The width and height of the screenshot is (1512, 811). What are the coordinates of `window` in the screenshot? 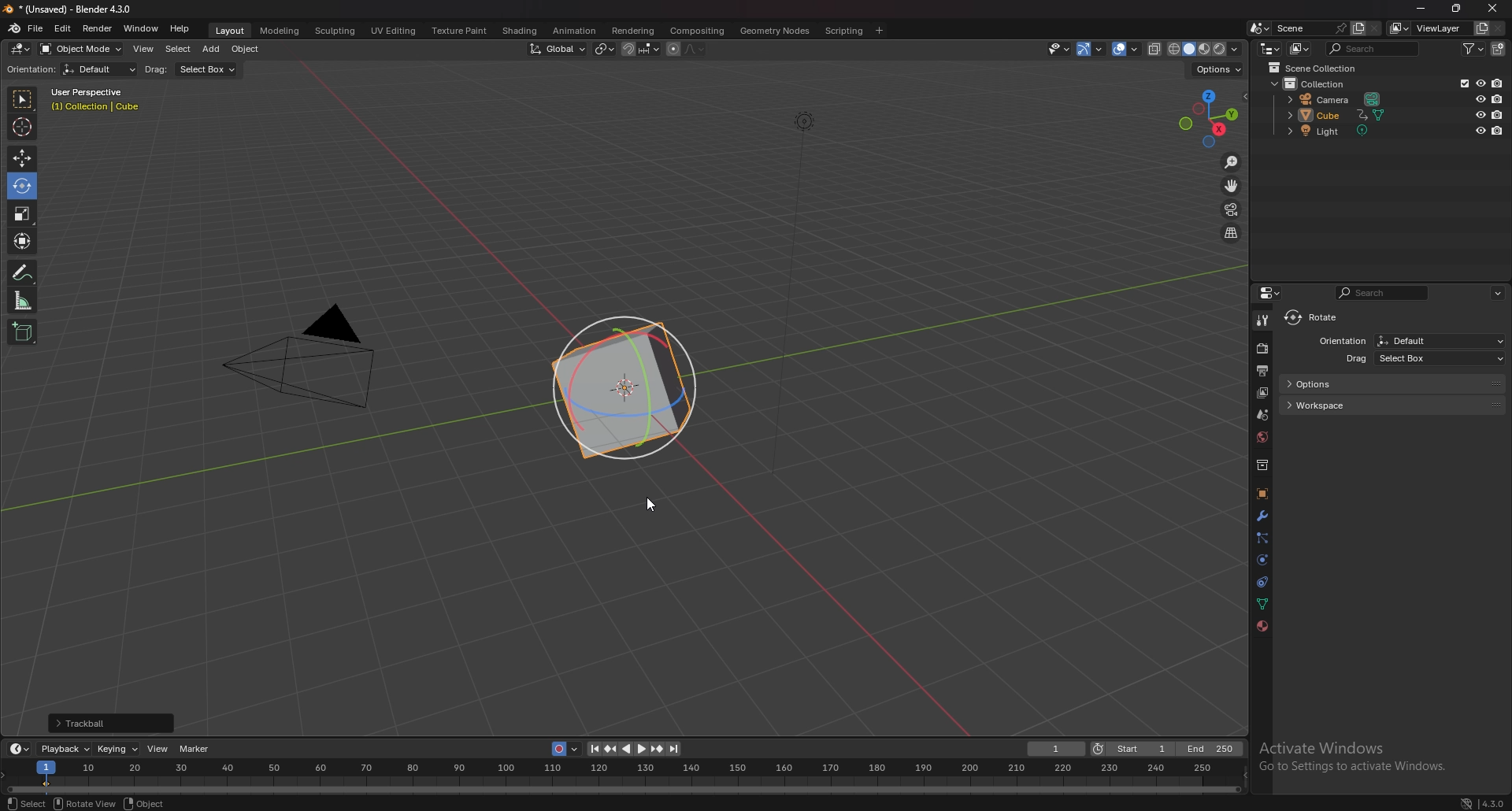 It's located at (140, 28).